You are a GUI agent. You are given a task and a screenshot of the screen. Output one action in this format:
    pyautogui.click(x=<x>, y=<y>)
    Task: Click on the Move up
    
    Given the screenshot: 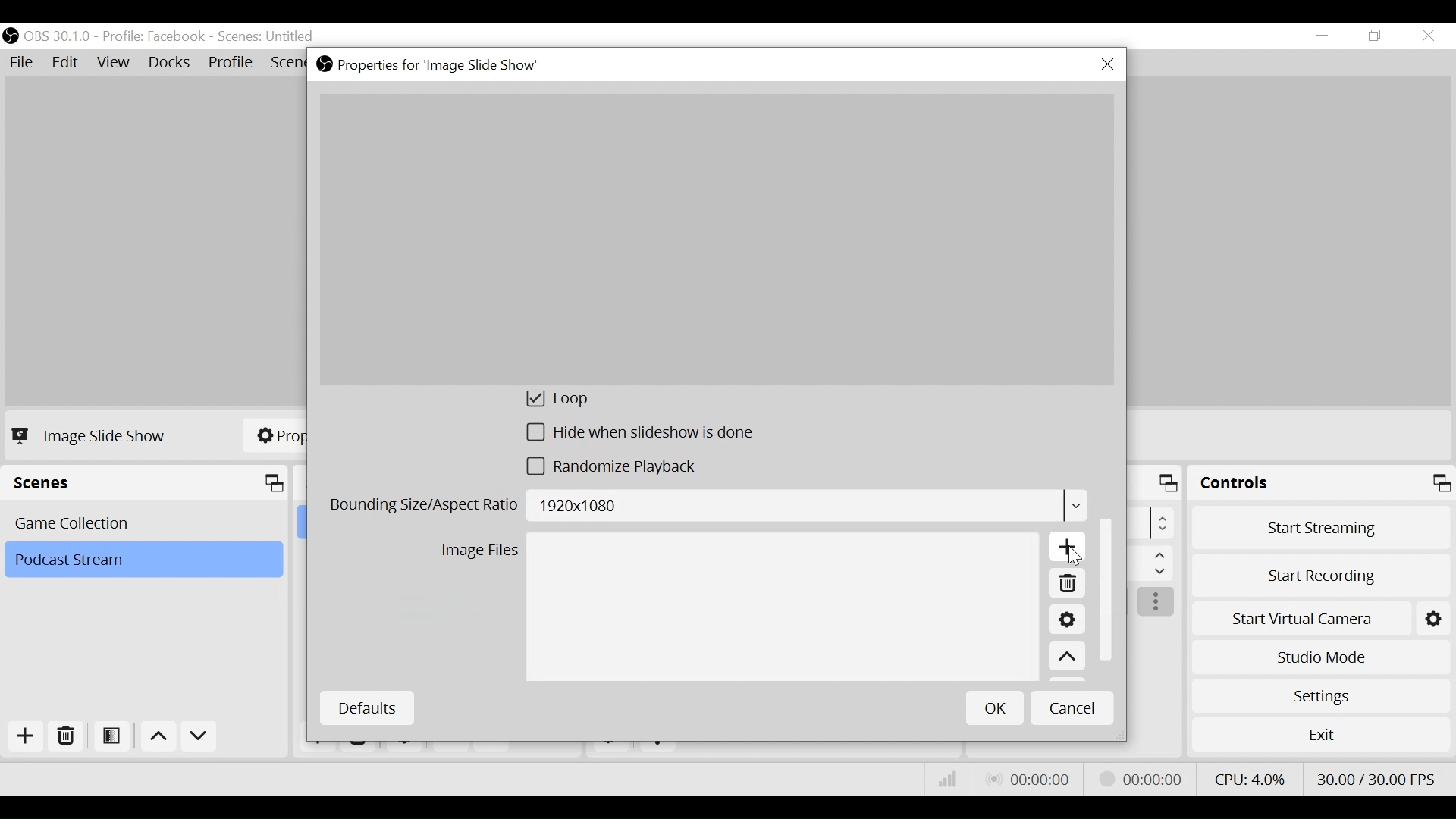 What is the action you would take?
    pyautogui.click(x=1067, y=657)
    